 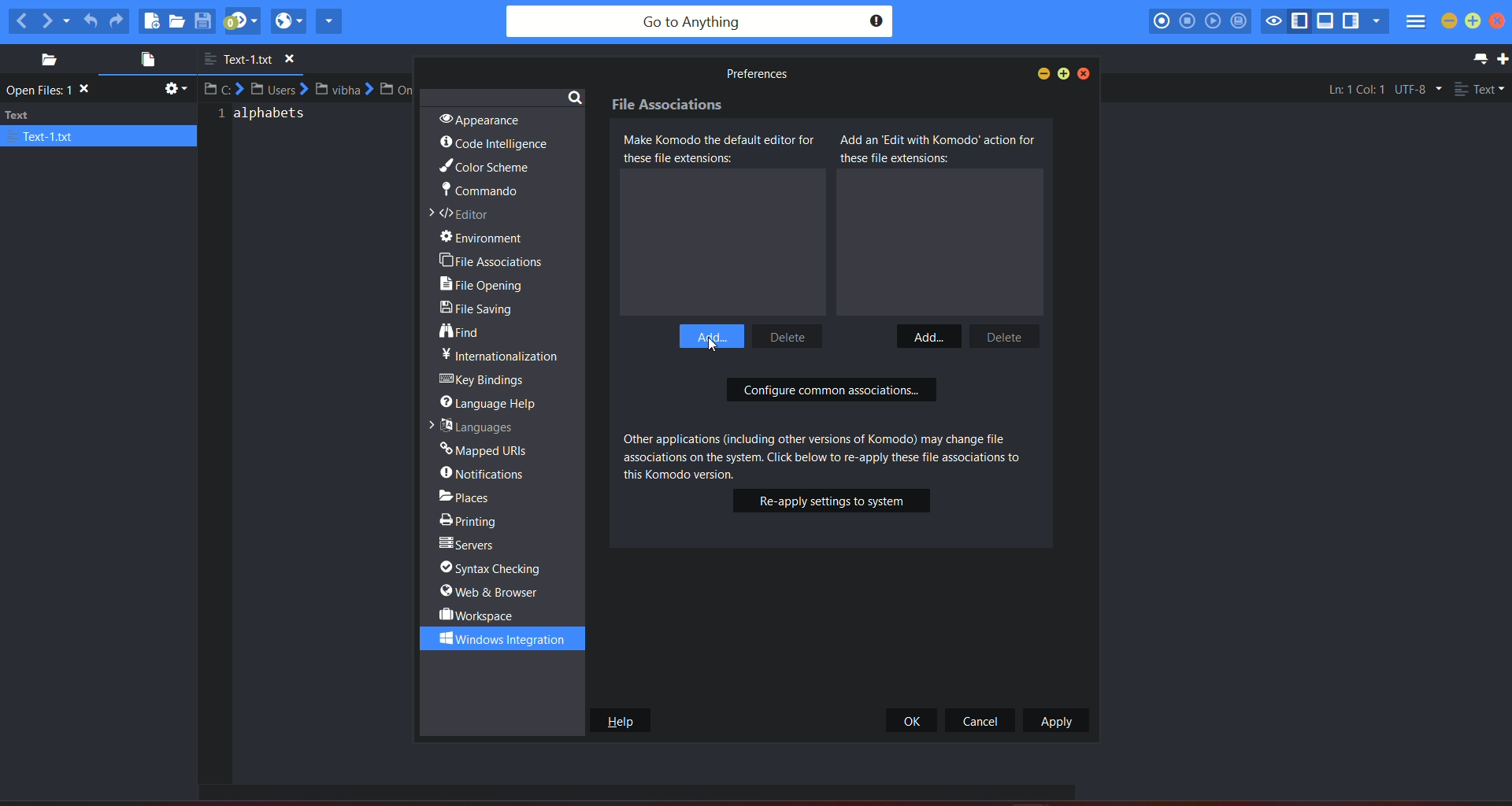 What do you see at coordinates (483, 168) in the screenshot?
I see `color scheme` at bounding box center [483, 168].